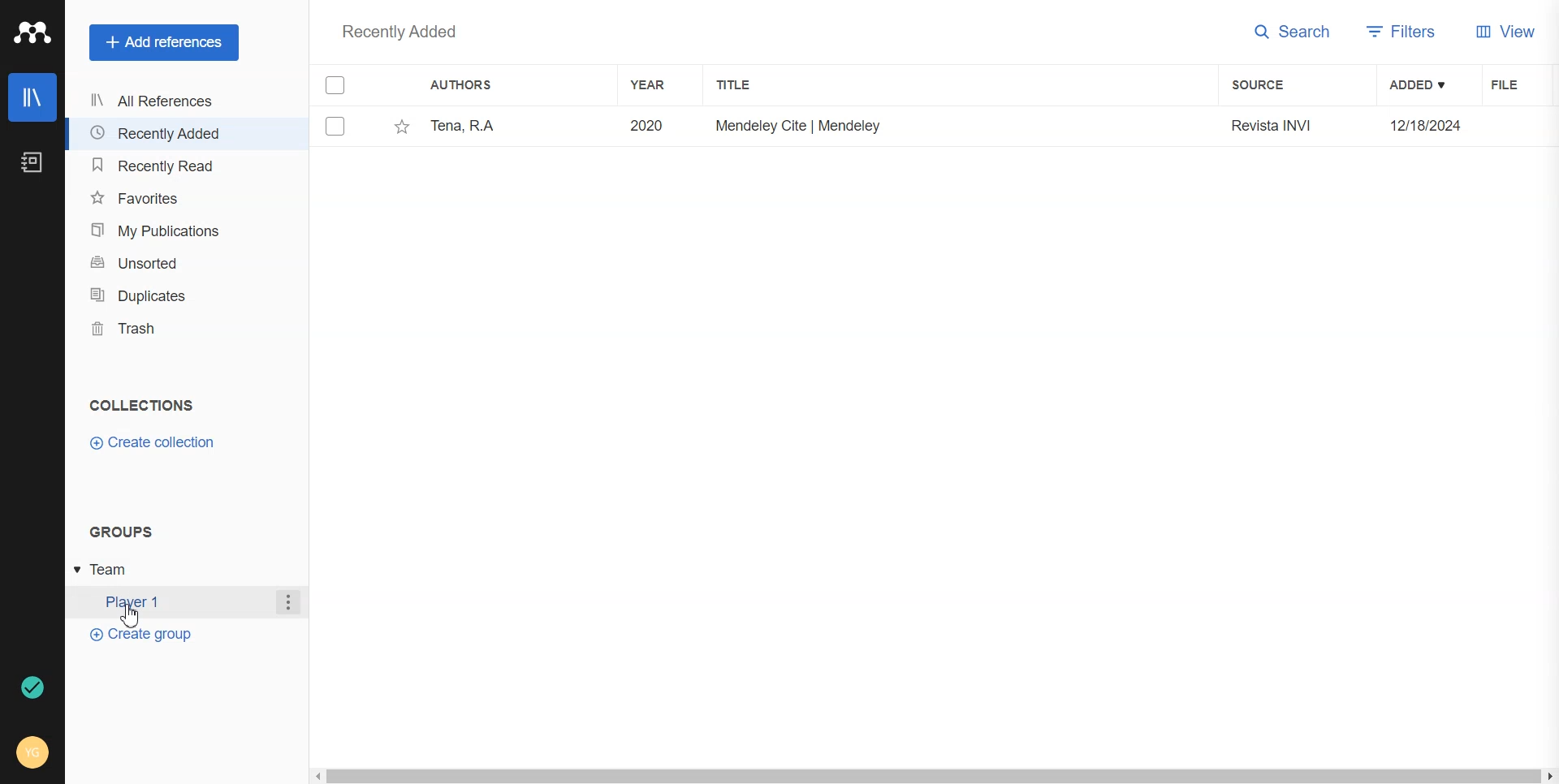  I want to click on Recently Added, so click(400, 32).